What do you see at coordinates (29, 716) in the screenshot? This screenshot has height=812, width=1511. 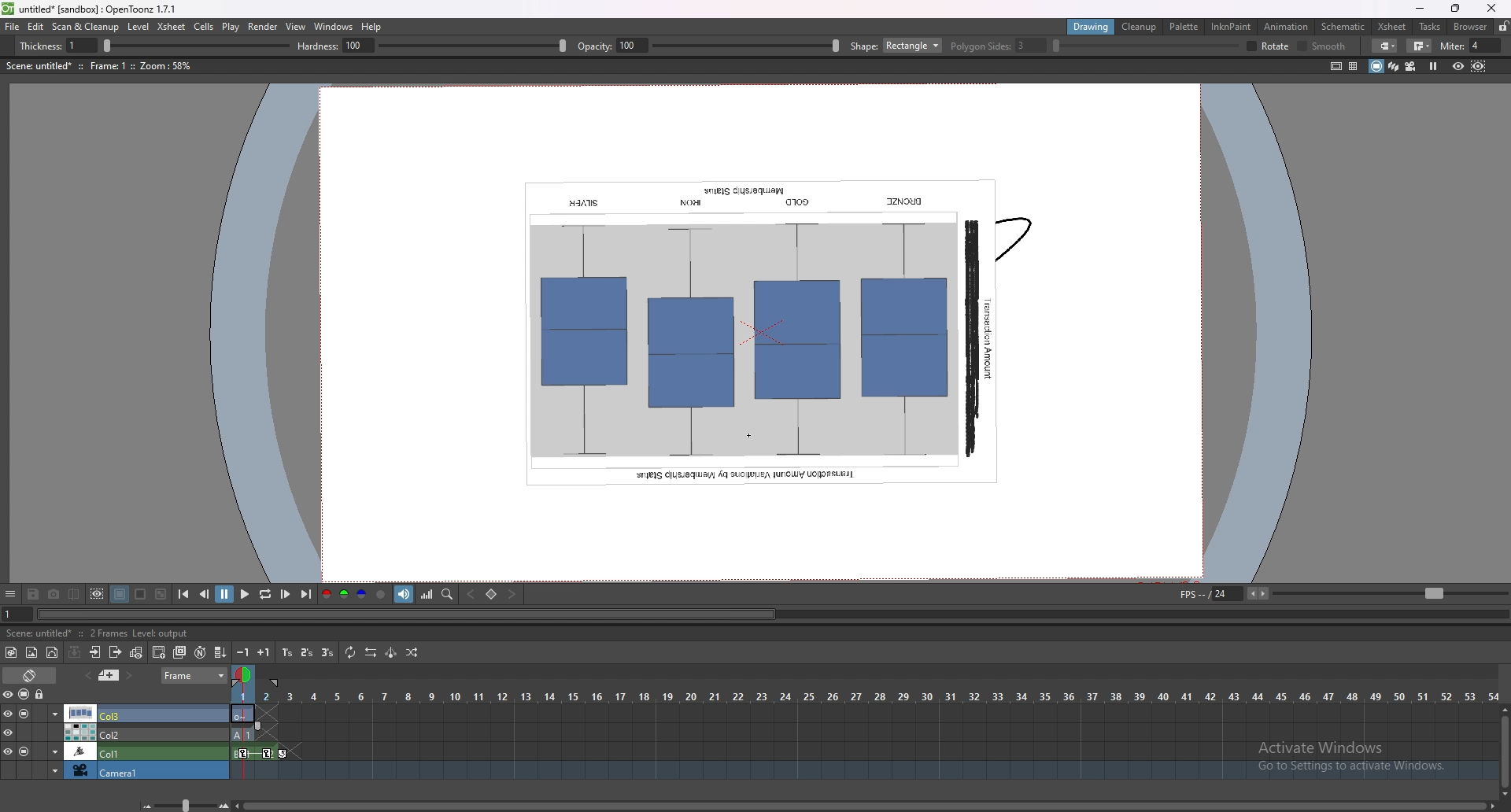 I see `column 2` at bounding box center [29, 716].